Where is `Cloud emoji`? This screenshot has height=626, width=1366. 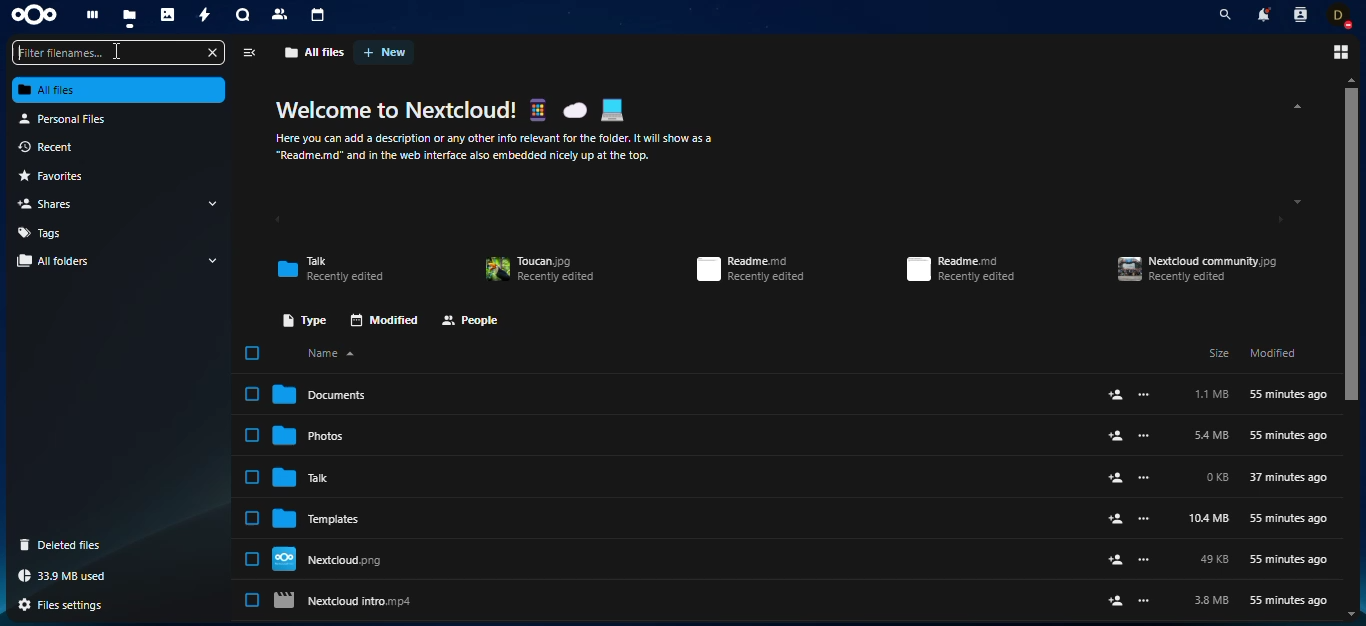 Cloud emoji is located at coordinates (574, 110).